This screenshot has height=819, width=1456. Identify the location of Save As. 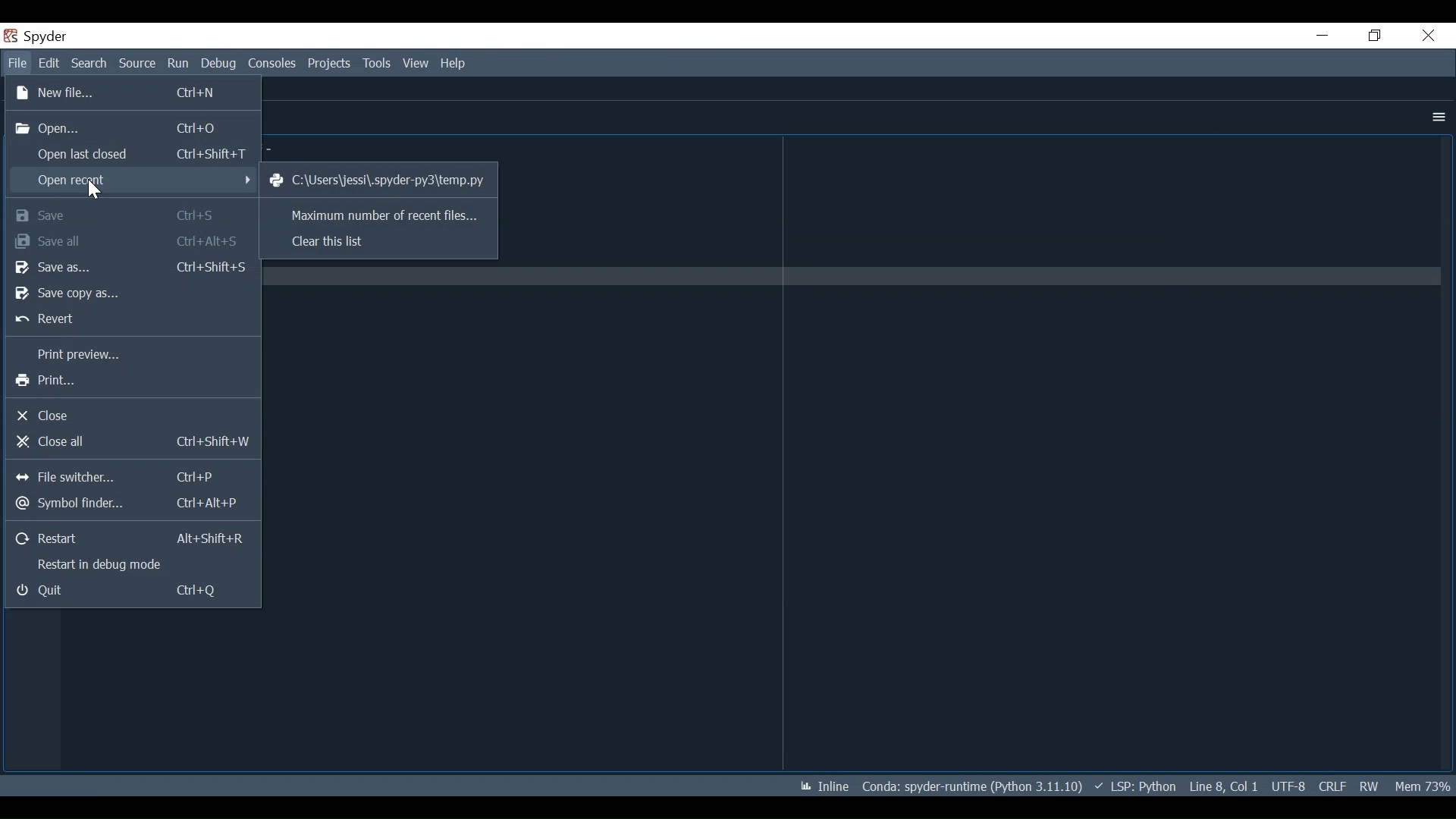
(133, 267).